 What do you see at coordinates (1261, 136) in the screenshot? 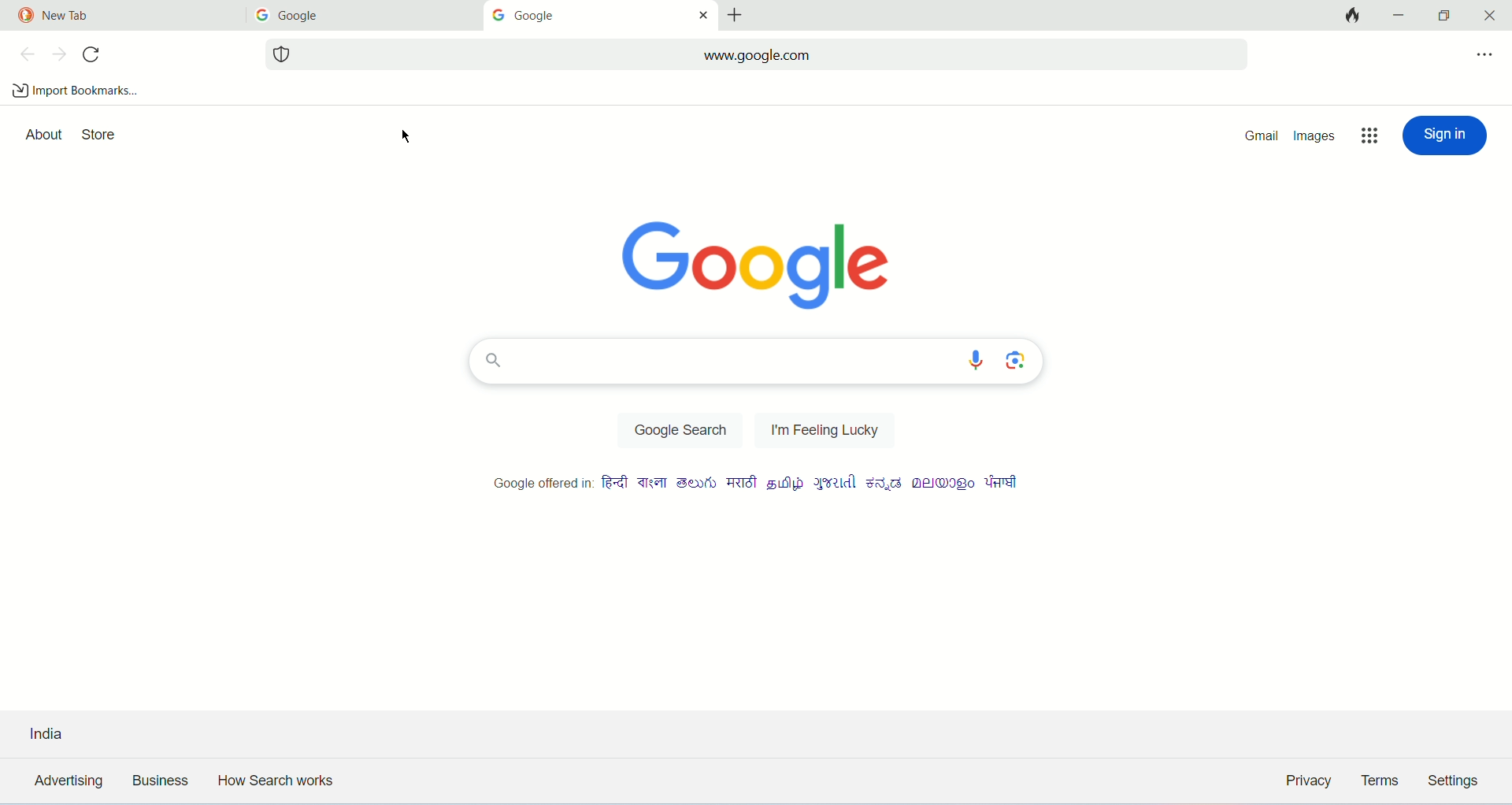
I see `gmail` at bounding box center [1261, 136].